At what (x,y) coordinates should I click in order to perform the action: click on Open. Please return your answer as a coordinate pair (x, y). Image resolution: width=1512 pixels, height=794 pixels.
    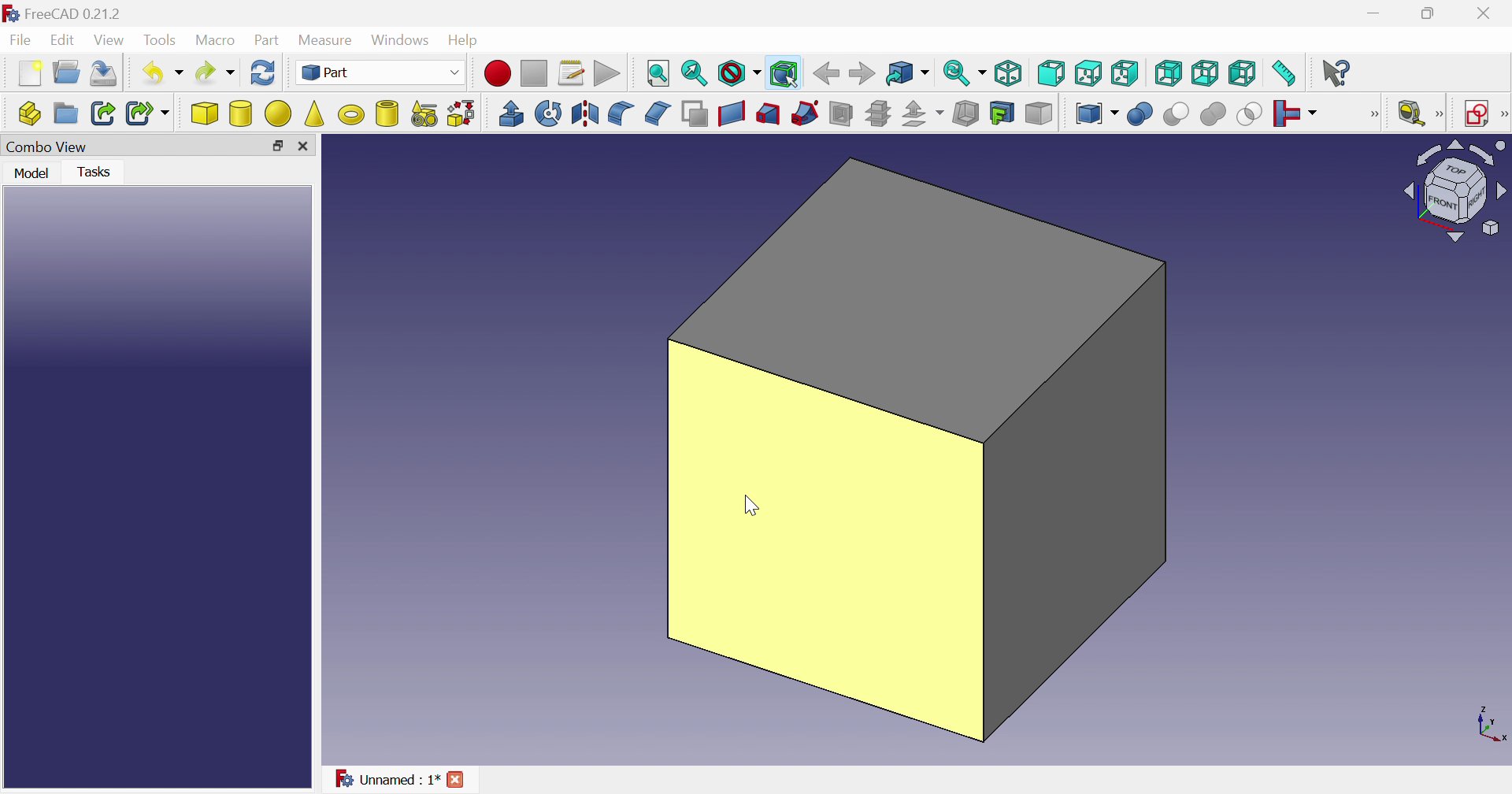
    Looking at the image, I should click on (69, 71).